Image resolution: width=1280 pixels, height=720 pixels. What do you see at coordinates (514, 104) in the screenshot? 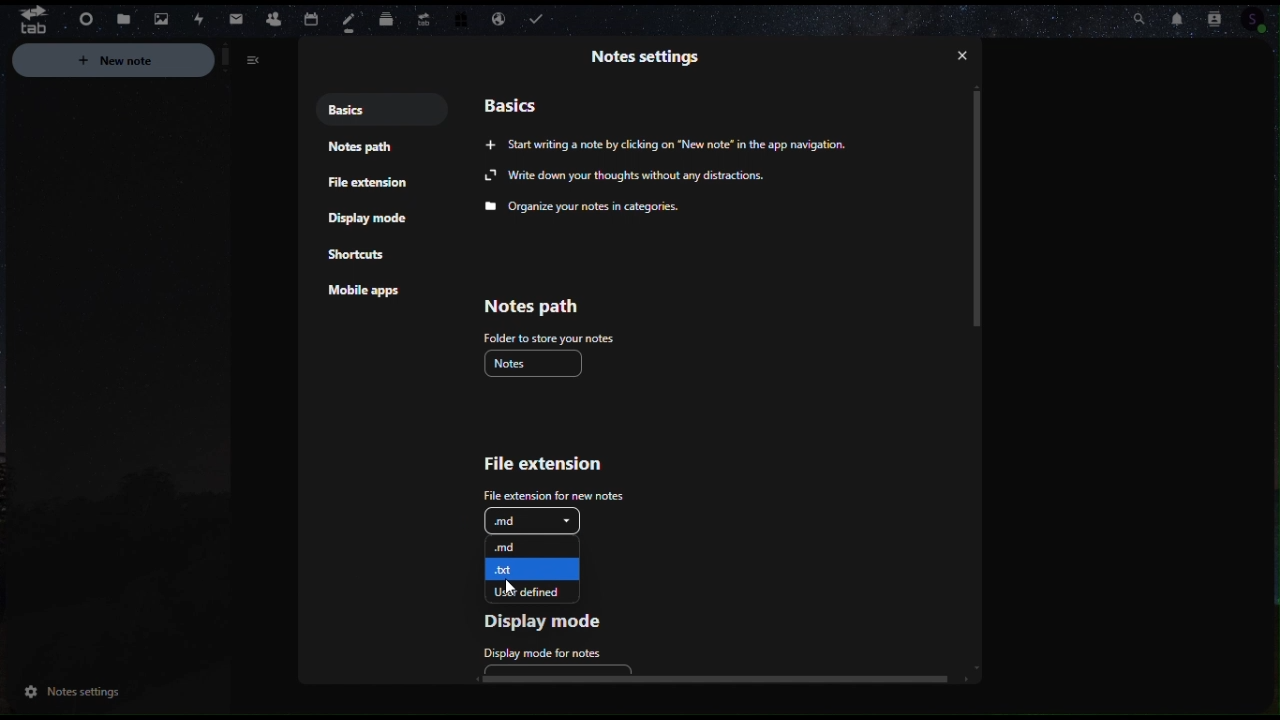
I see `basics` at bounding box center [514, 104].